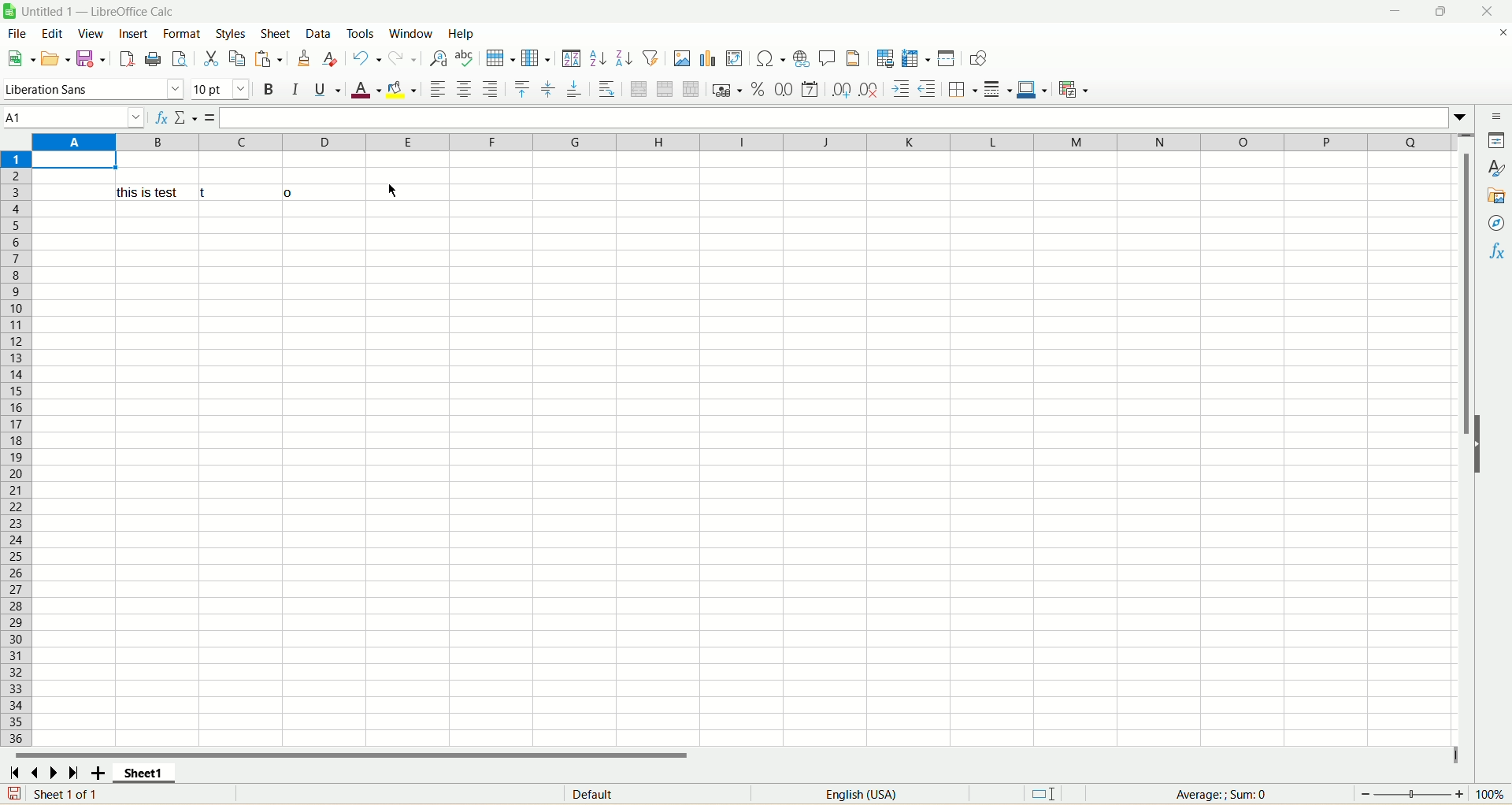  Describe the element at coordinates (465, 57) in the screenshot. I see `spelling` at that location.